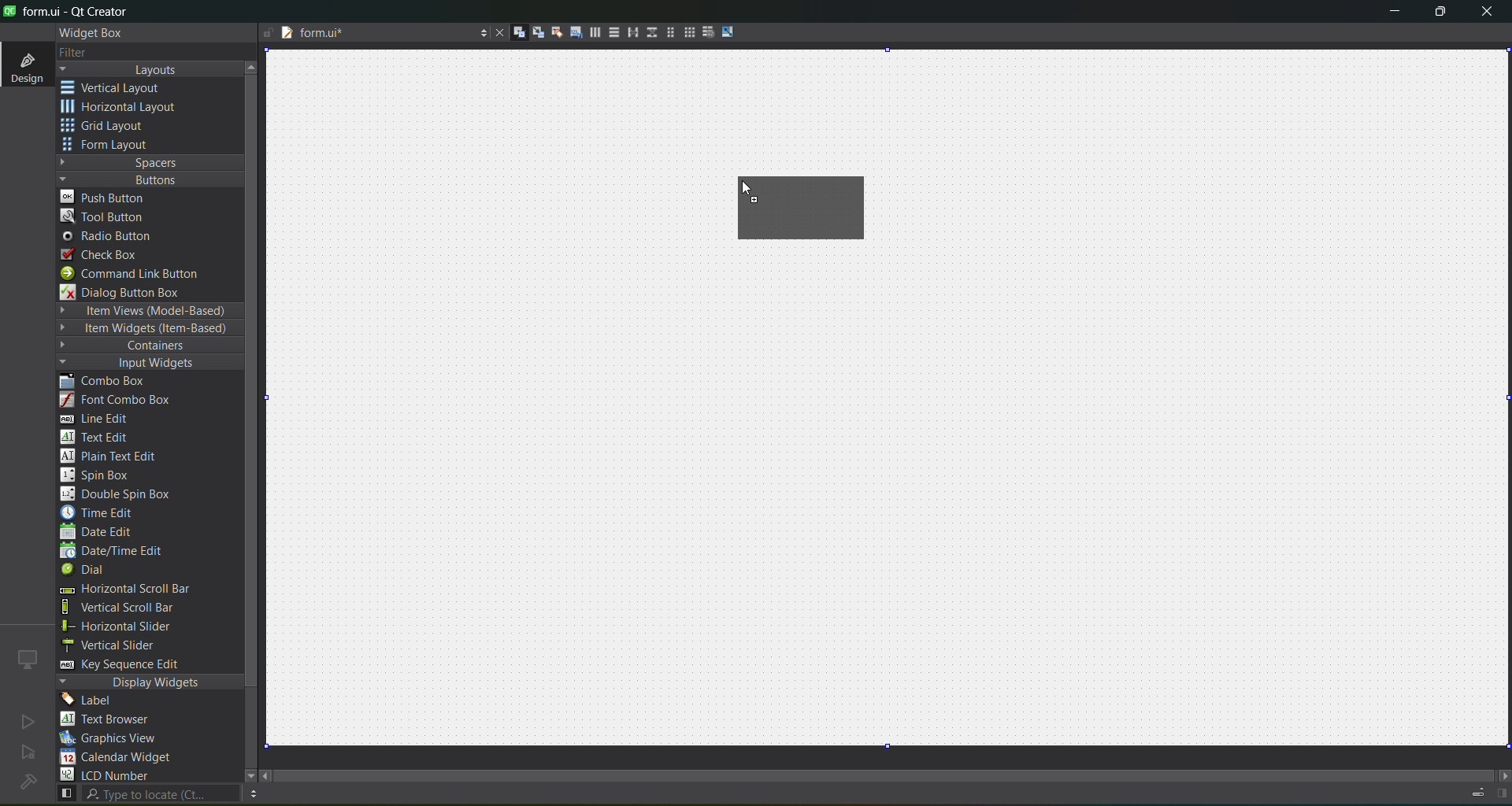  I want to click on layout horizontally, so click(590, 35).